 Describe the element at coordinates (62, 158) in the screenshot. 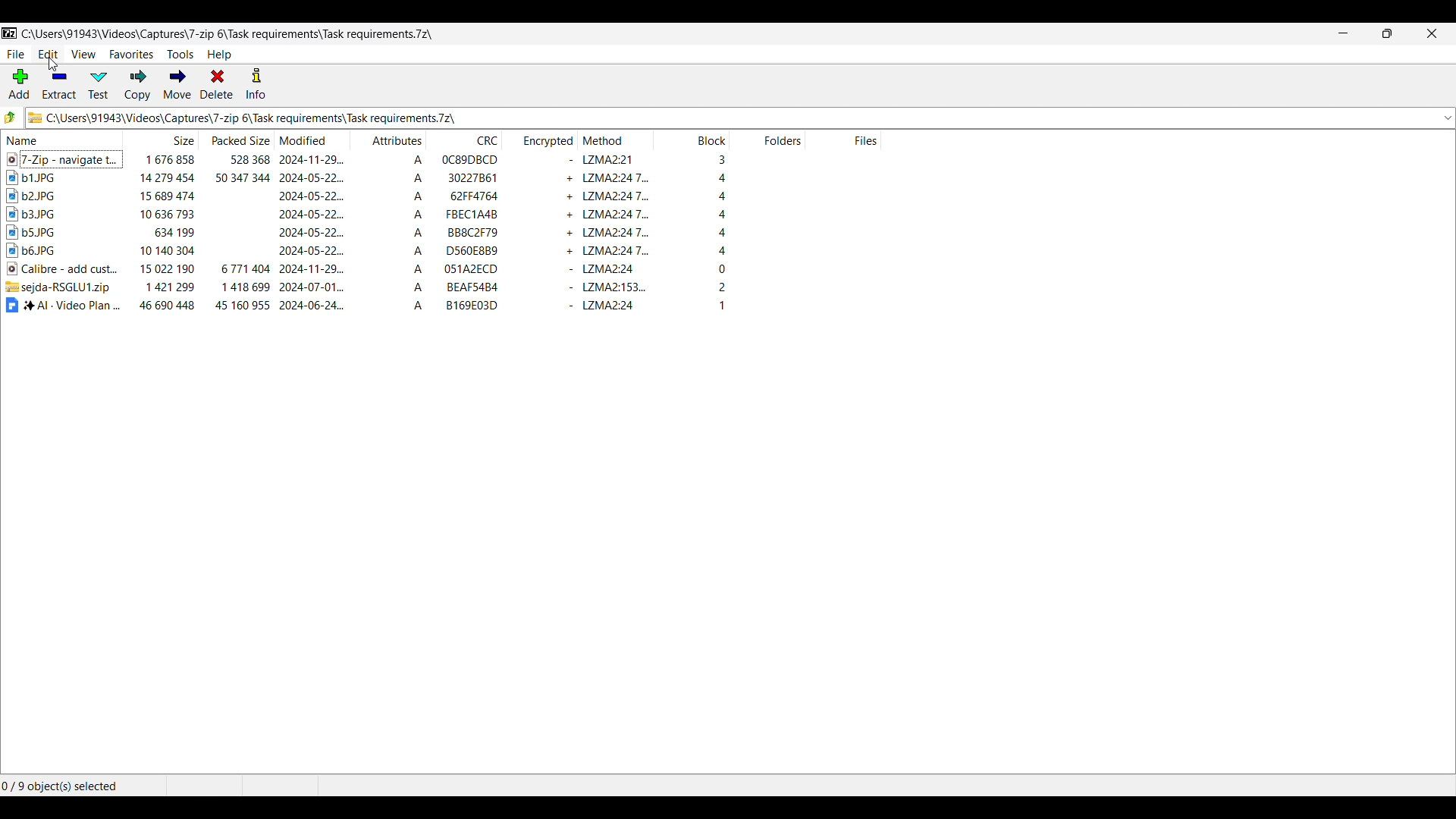

I see `video file` at that location.